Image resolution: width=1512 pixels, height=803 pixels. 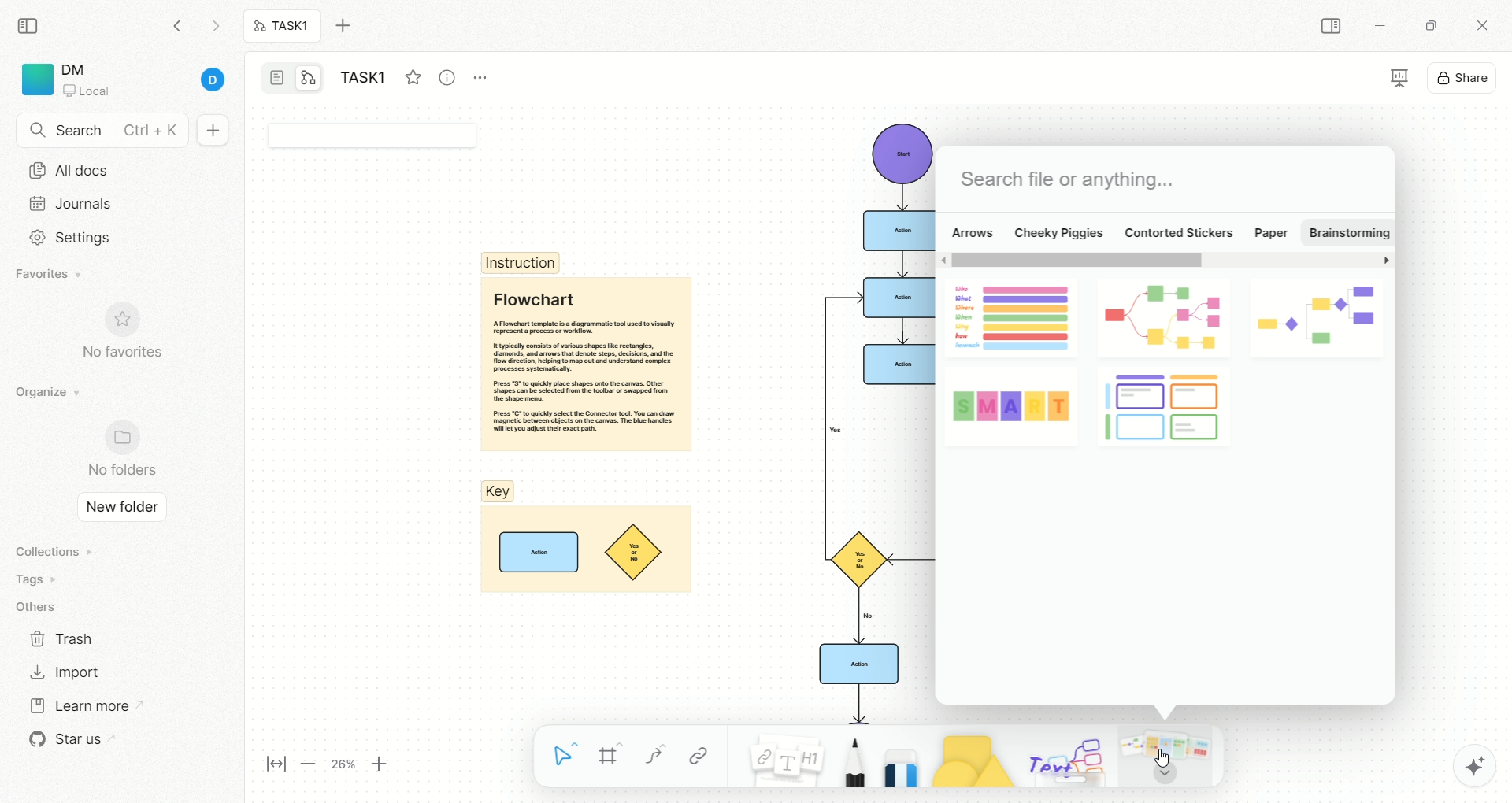 What do you see at coordinates (488, 74) in the screenshot?
I see `options` at bounding box center [488, 74].